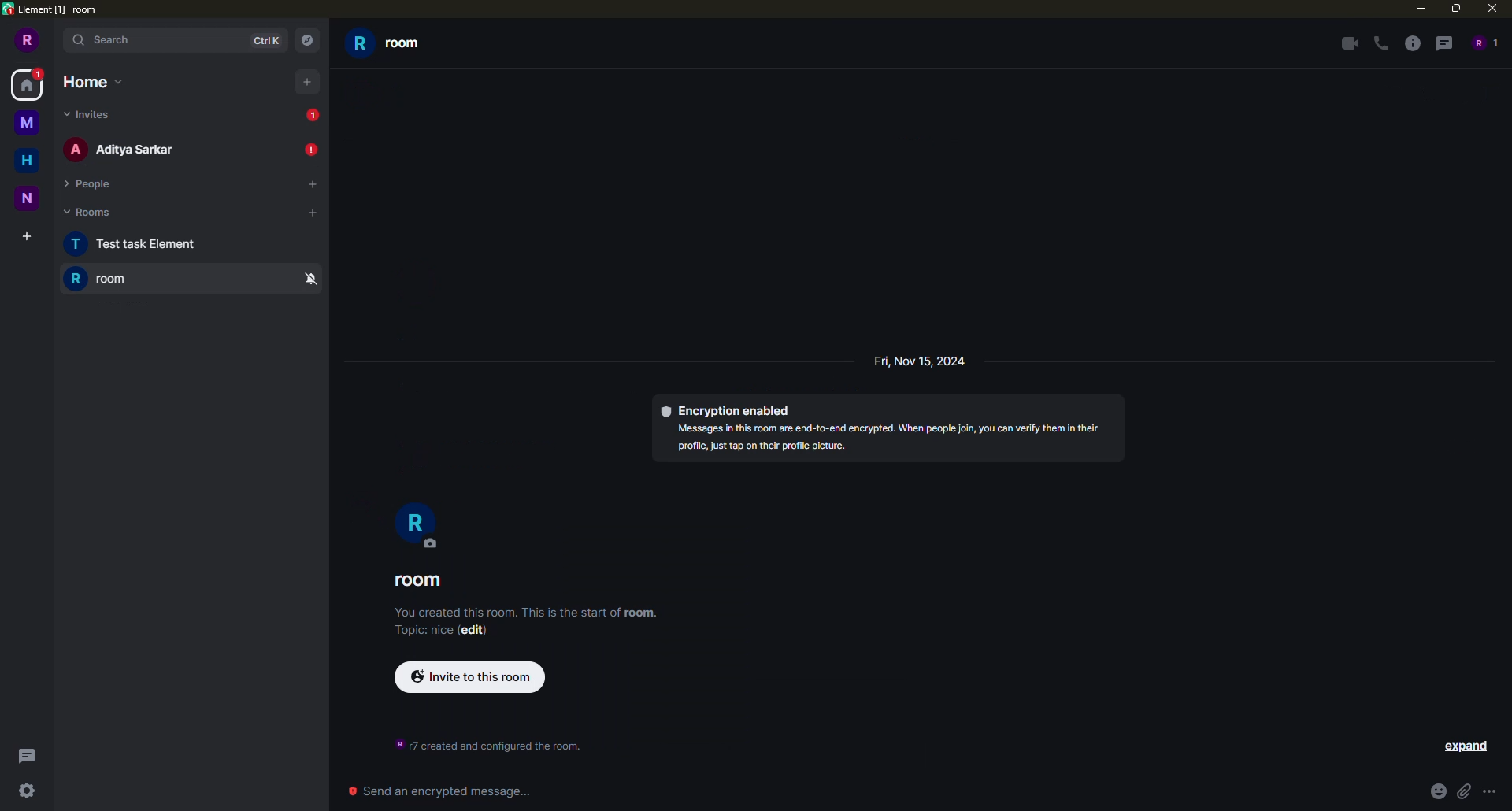 The image size is (1512, 811). Describe the element at coordinates (32, 754) in the screenshot. I see `threads` at that location.